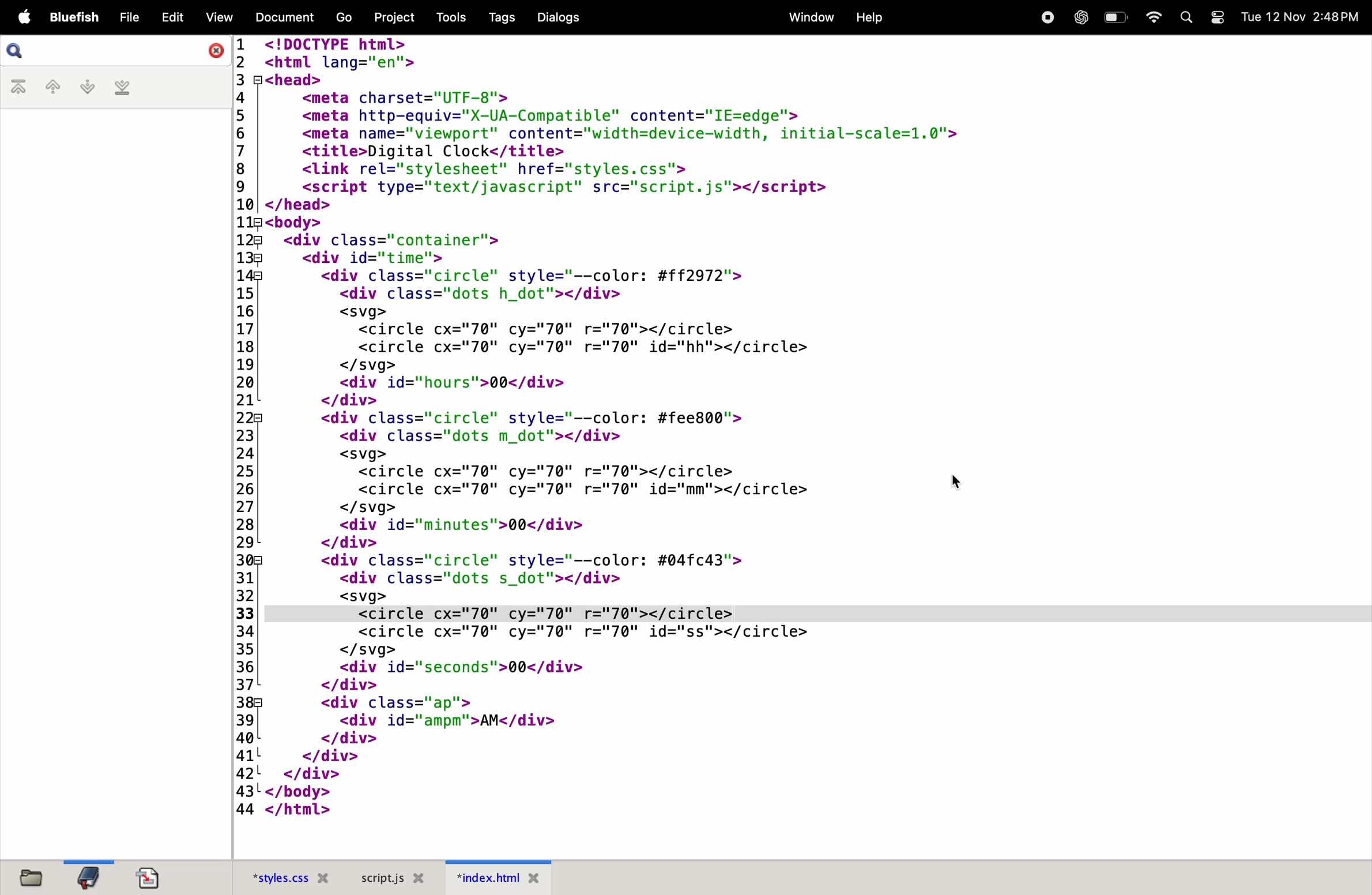 The width and height of the screenshot is (1372, 895). What do you see at coordinates (1187, 19) in the screenshot?
I see `search` at bounding box center [1187, 19].